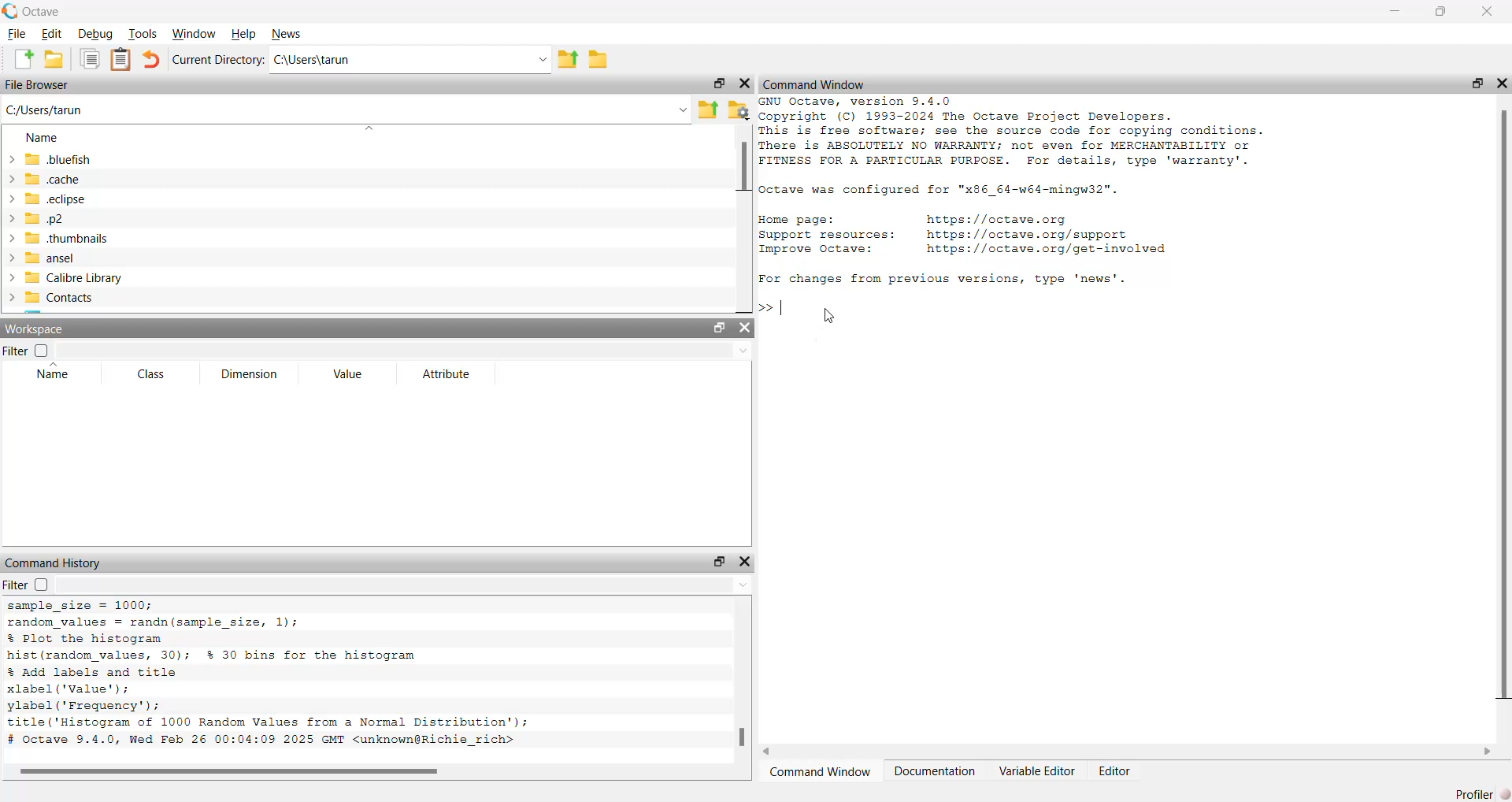 Image resolution: width=1512 pixels, height=802 pixels. What do you see at coordinates (45, 199) in the screenshot?
I see `.eclipse` at bounding box center [45, 199].